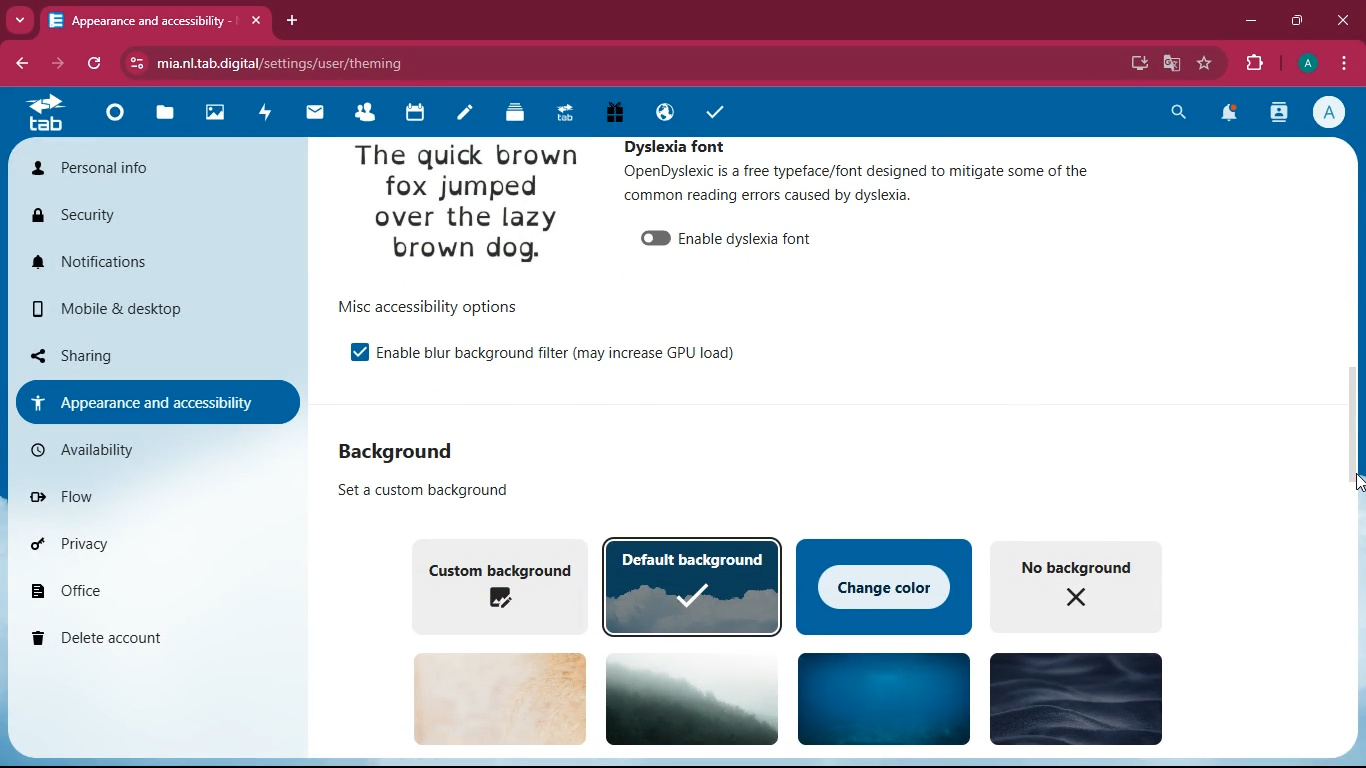 The height and width of the screenshot is (768, 1366). Describe the element at coordinates (1256, 61) in the screenshot. I see `extensions` at that location.